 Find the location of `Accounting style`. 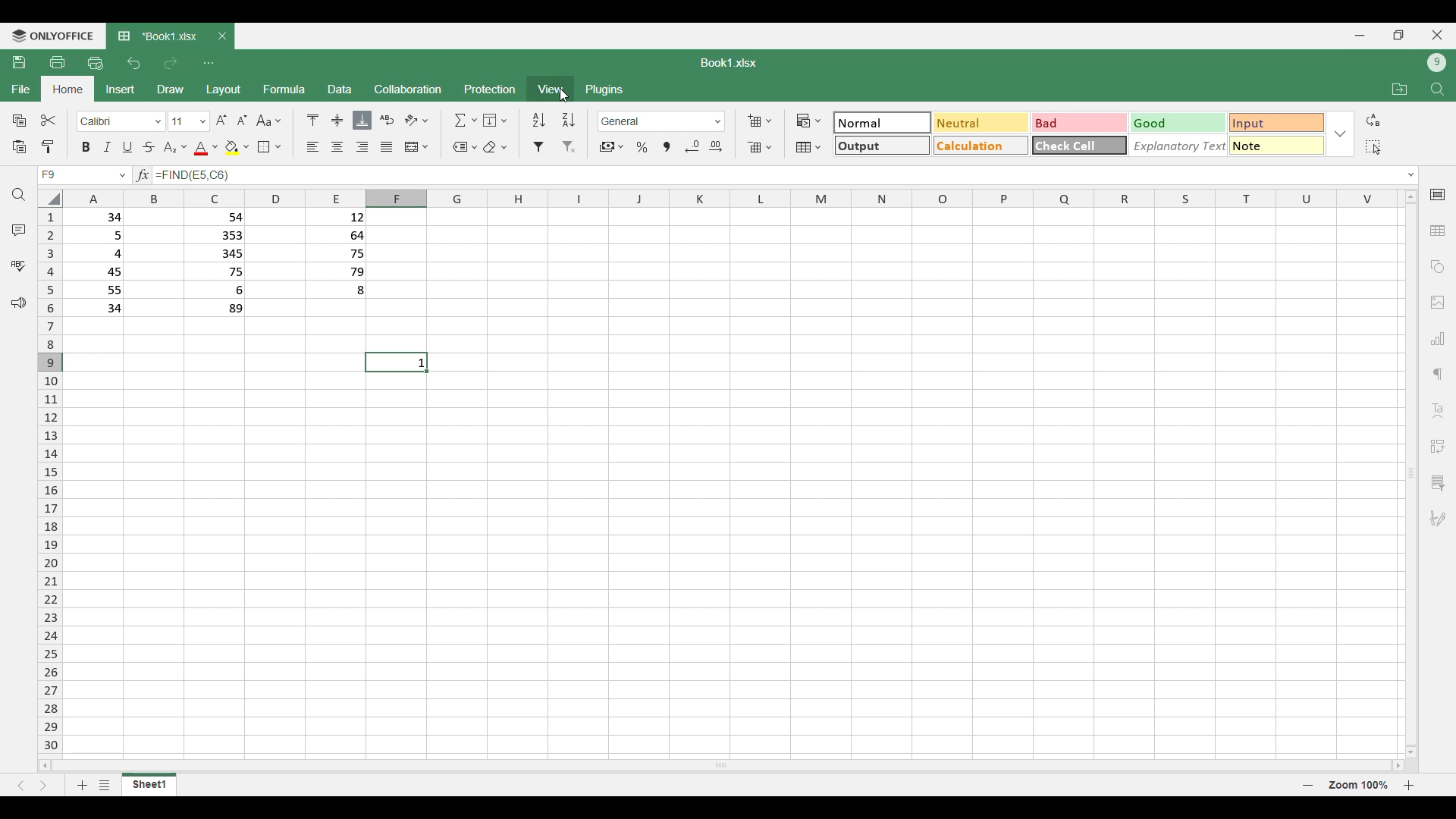

Accounting style is located at coordinates (611, 147).